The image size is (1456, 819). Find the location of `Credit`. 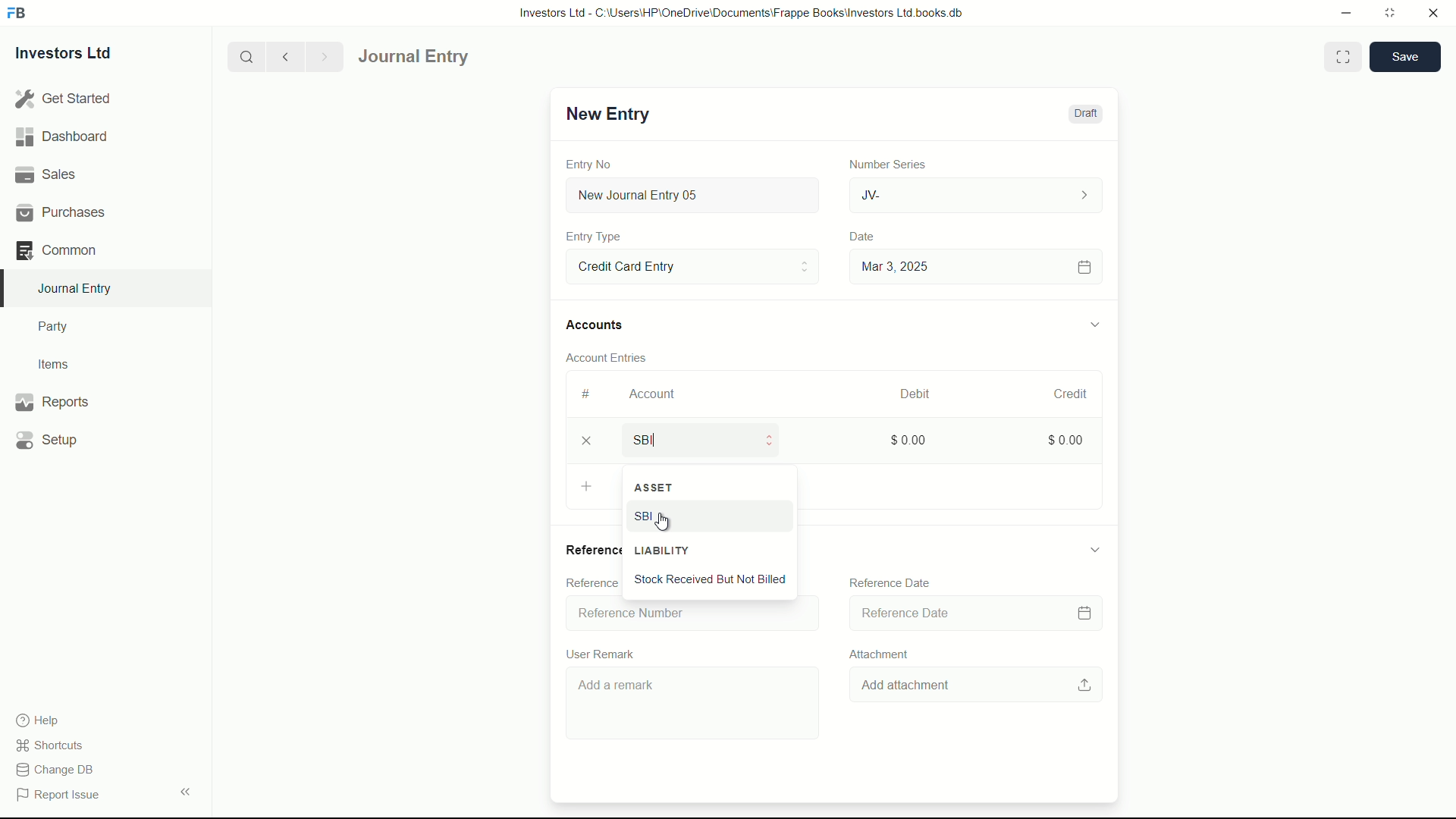

Credit is located at coordinates (1064, 394).